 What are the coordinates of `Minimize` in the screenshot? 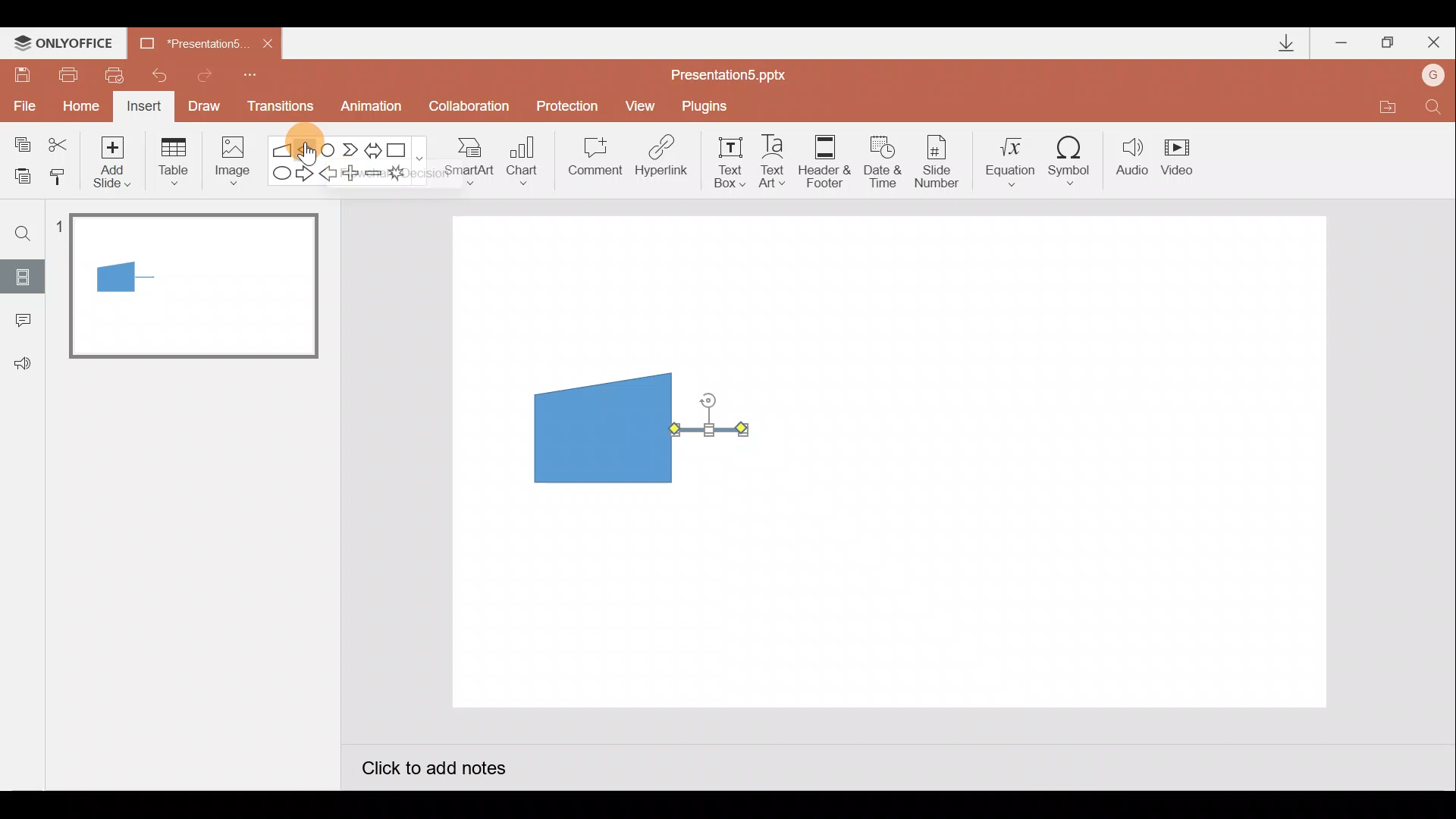 It's located at (1343, 44).